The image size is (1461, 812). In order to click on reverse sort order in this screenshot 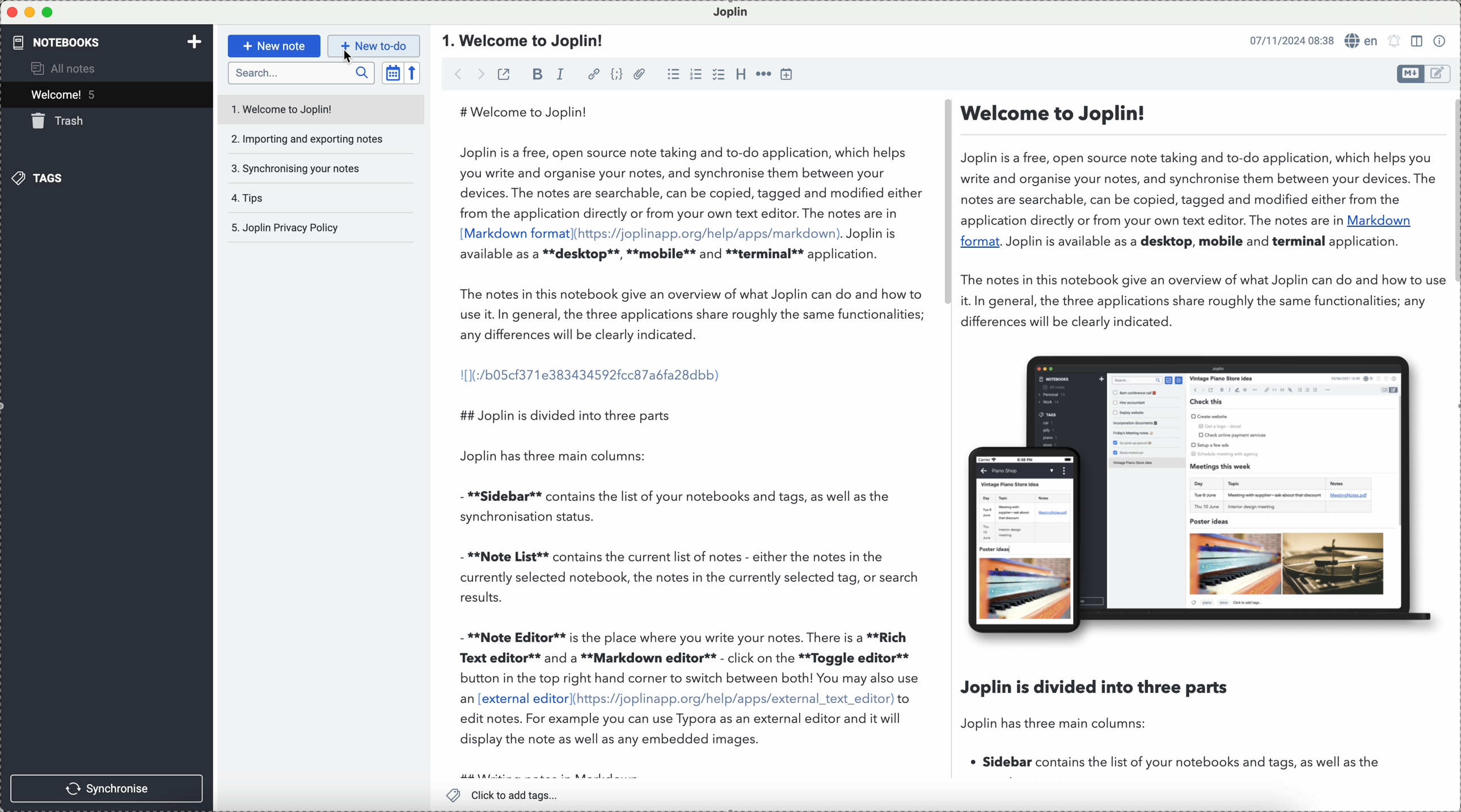, I will do `click(413, 73)`.